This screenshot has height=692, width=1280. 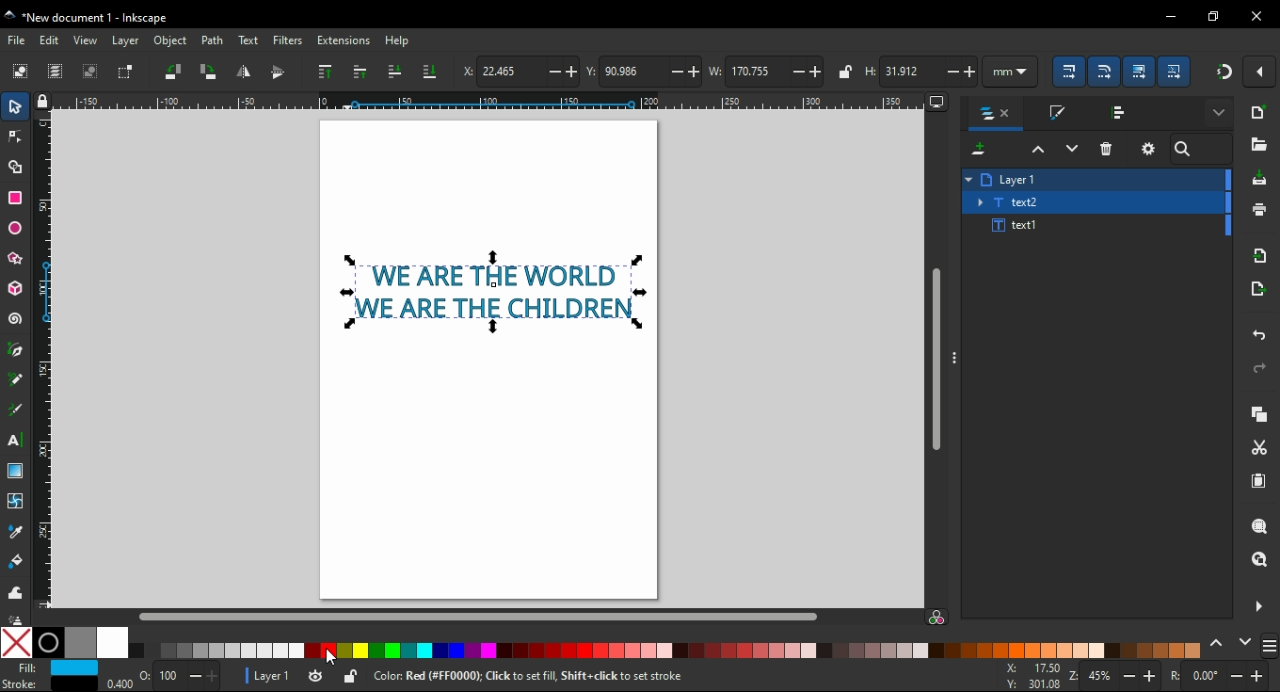 What do you see at coordinates (1254, 18) in the screenshot?
I see `close window` at bounding box center [1254, 18].